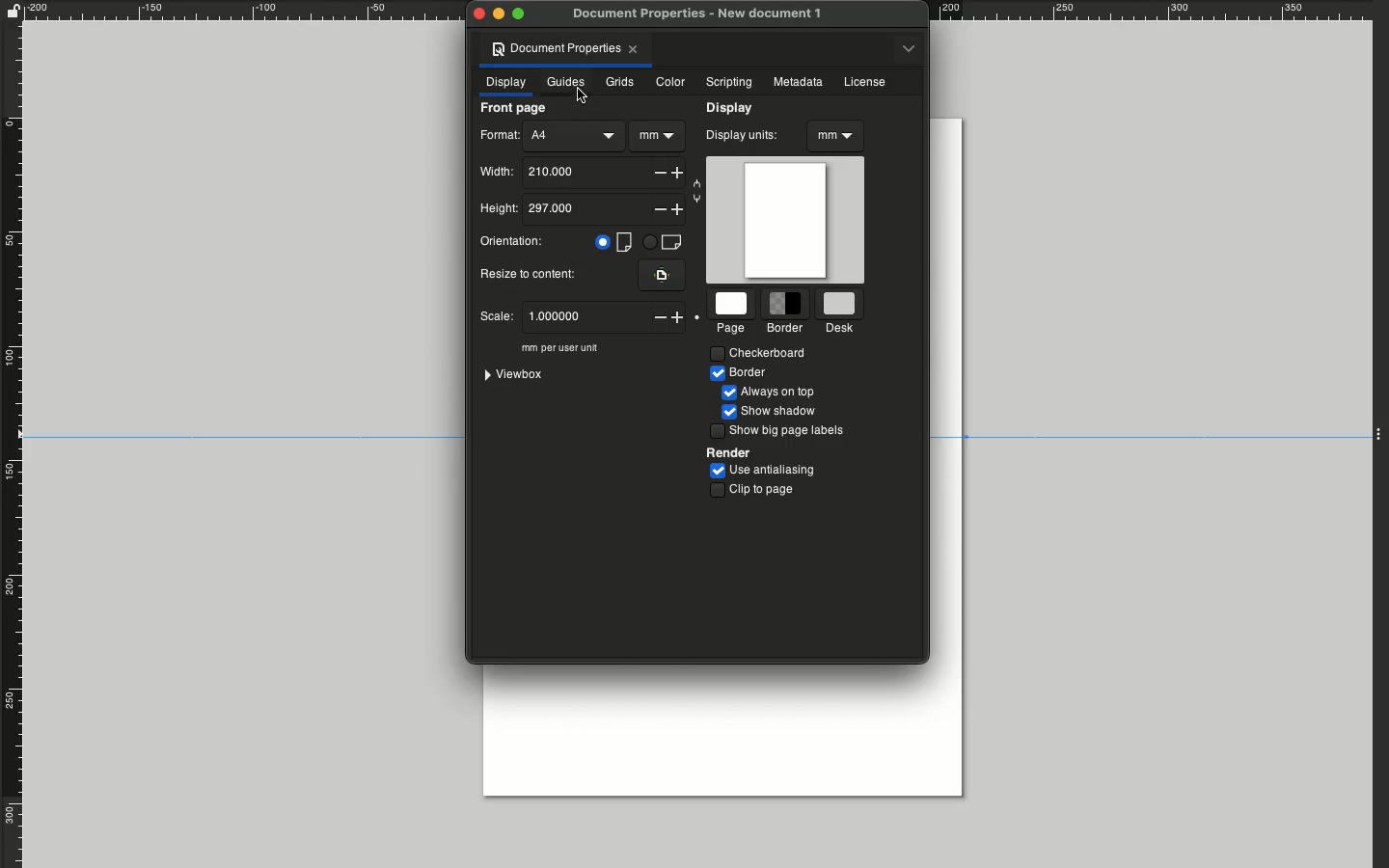  Describe the element at coordinates (511, 108) in the screenshot. I see `Front page` at that location.